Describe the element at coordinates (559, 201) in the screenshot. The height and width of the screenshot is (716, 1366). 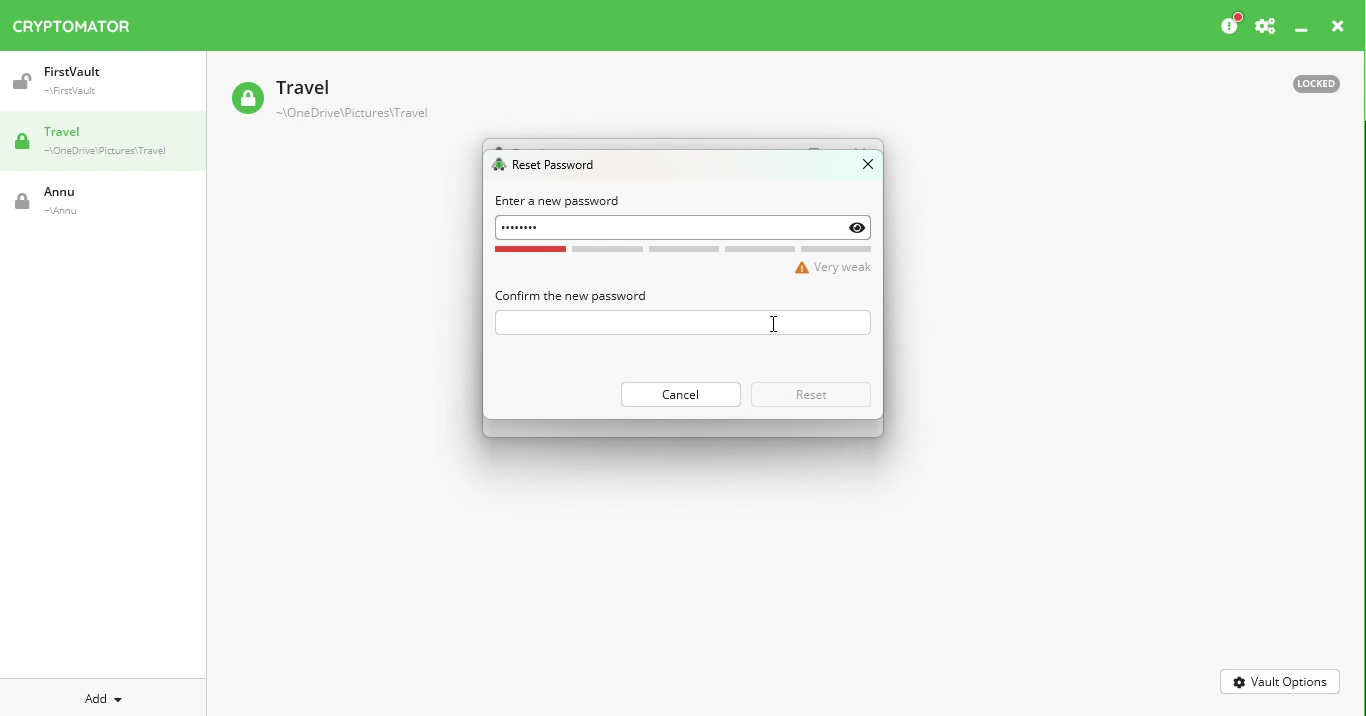
I see `Enter a new password` at that location.